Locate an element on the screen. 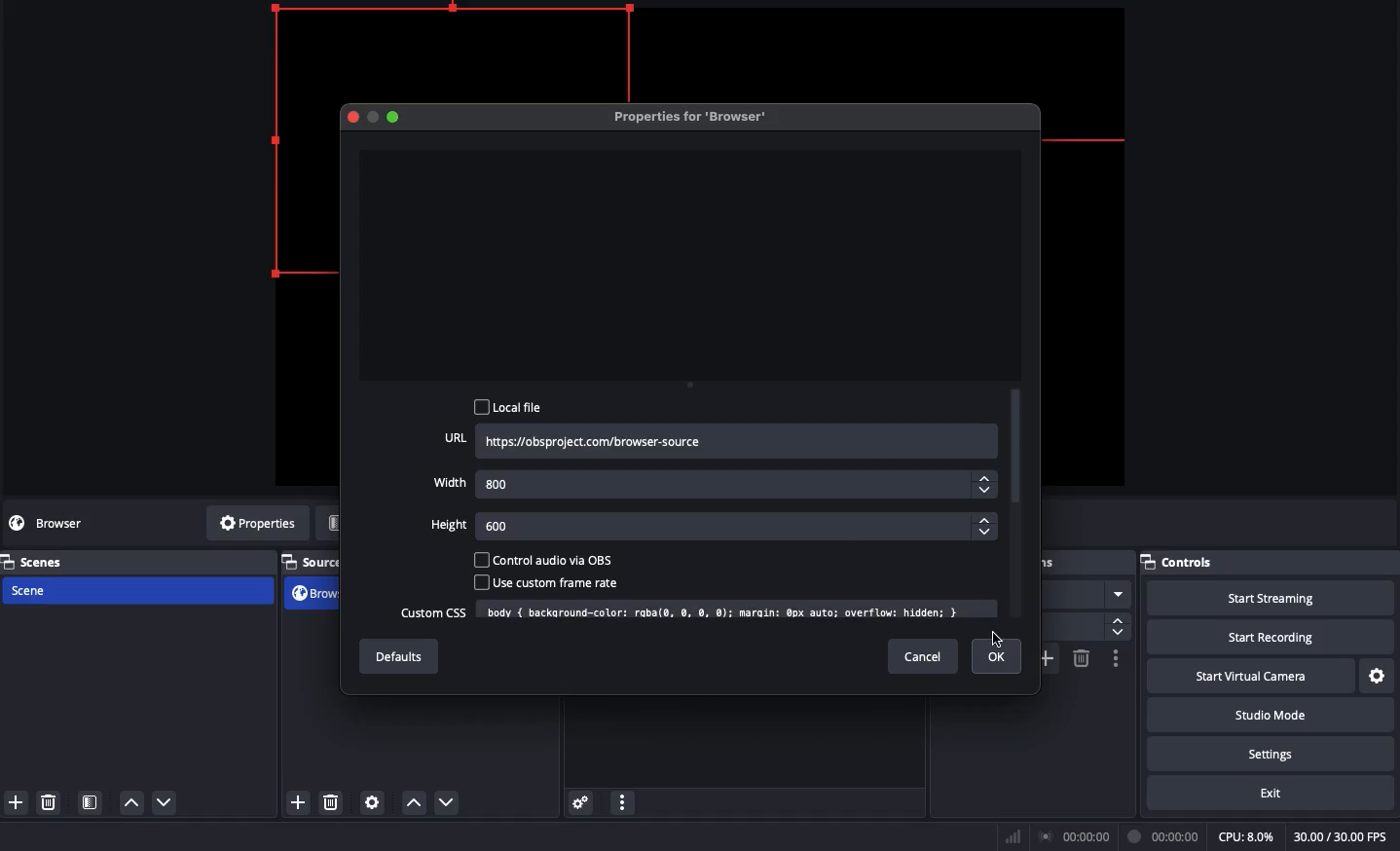 This screenshot has height=851, width=1400. Height  is located at coordinates (710, 526).